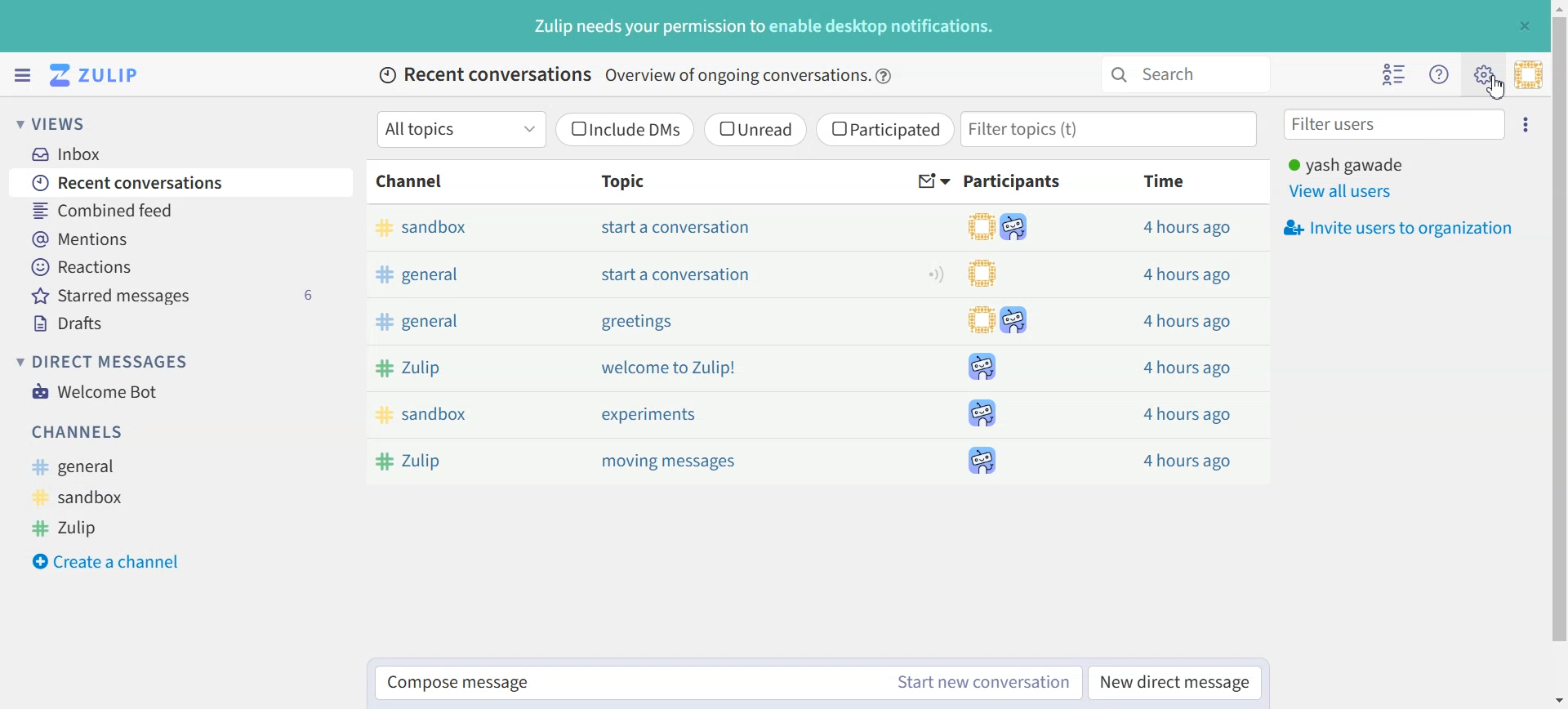 The image size is (1568, 709). I want to click on Hide left sidebar, so click(22, 75).